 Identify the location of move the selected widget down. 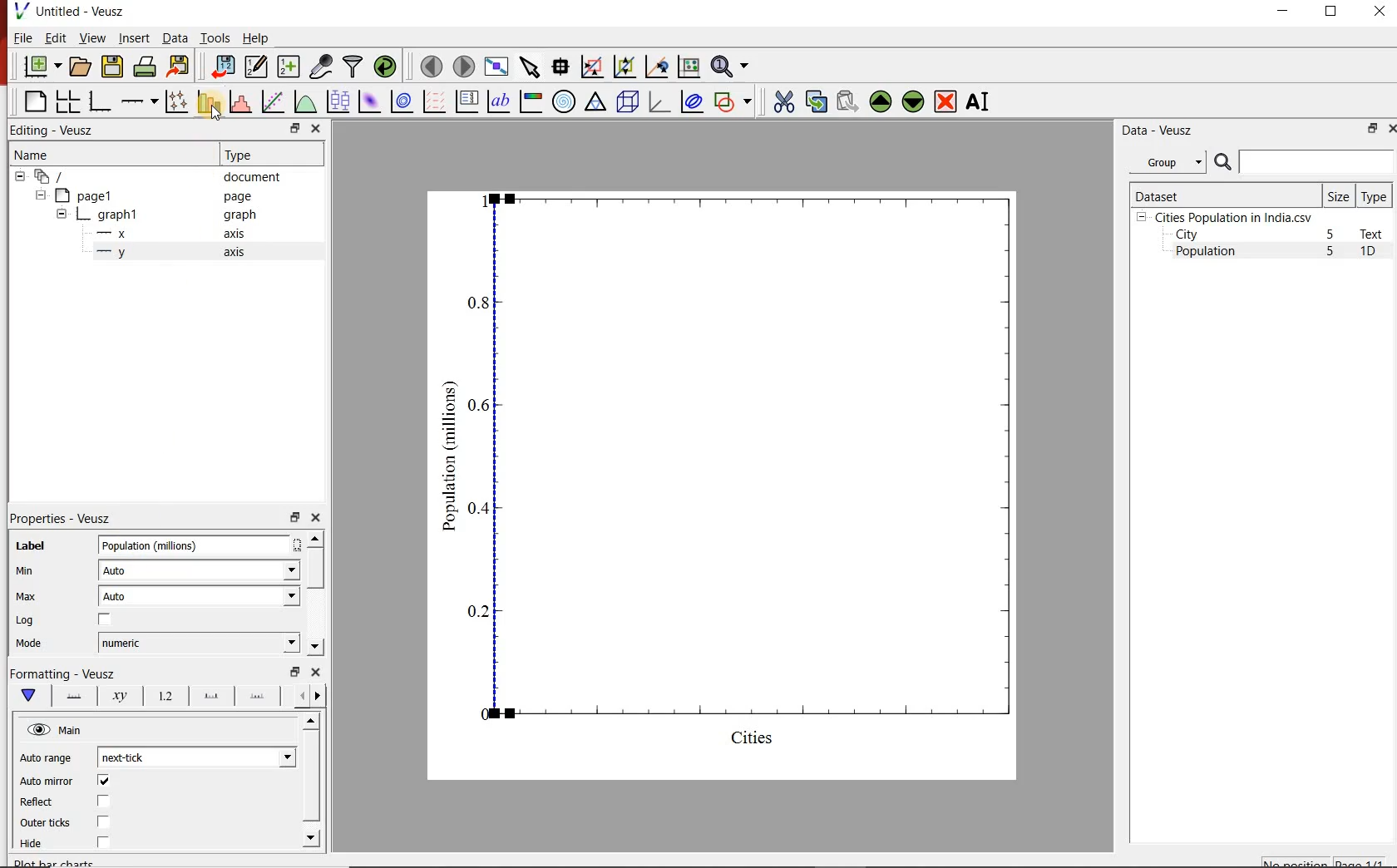
(913, 101).